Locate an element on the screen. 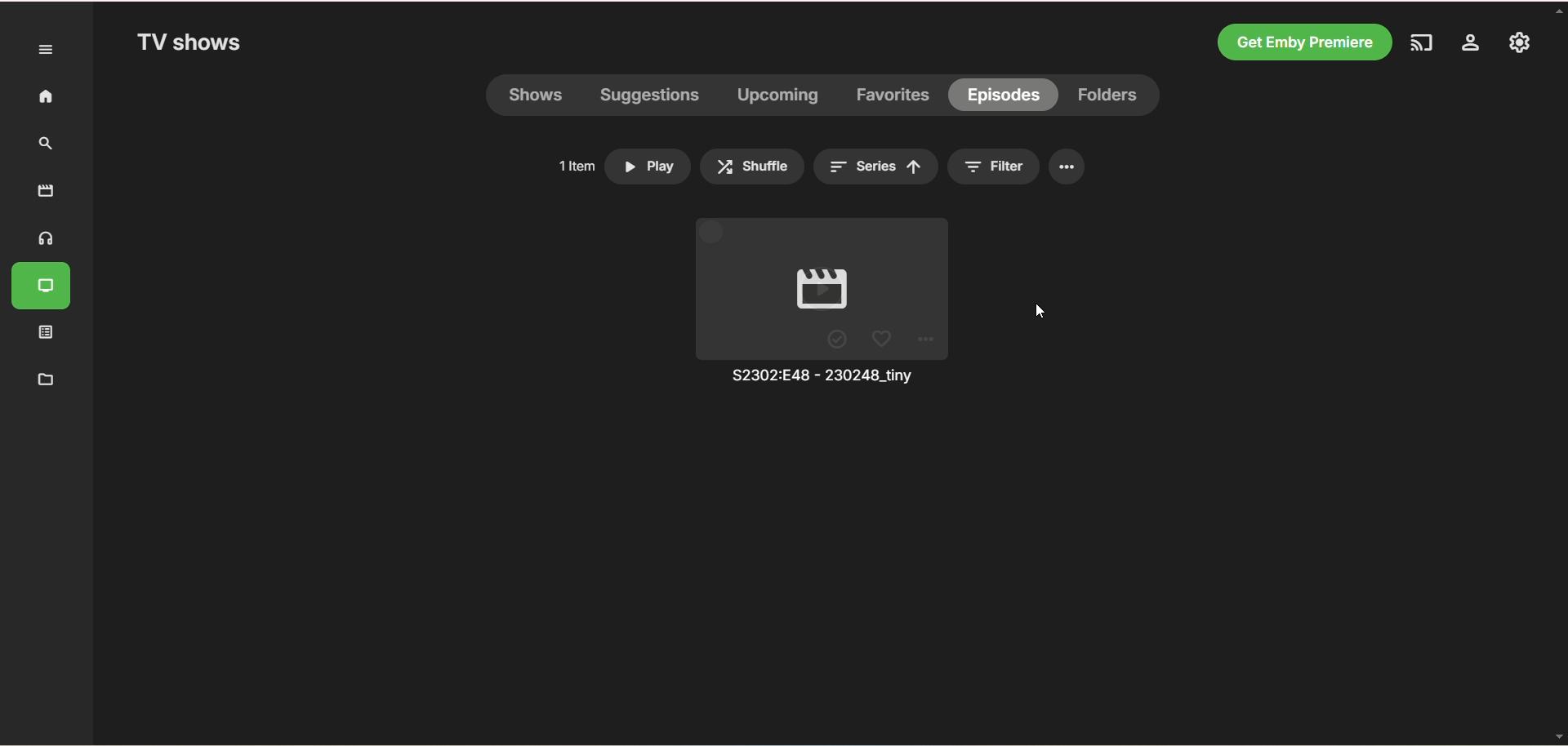 The image size is (1568, 746). settings is located at coordinates (1473, 43).